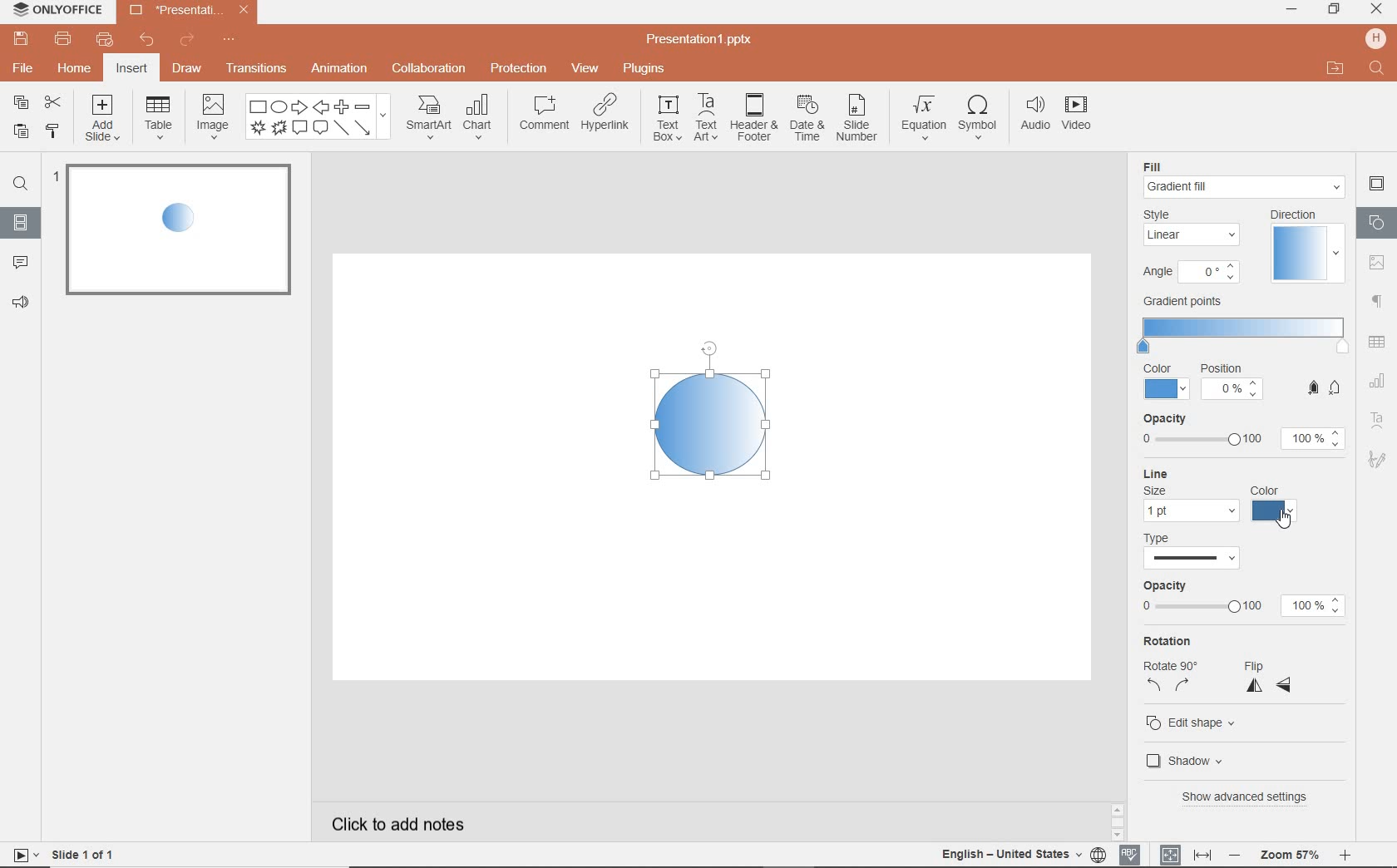 This screenshot has width=1397, height=868. I want to click on SHADOW, so click(1188, 760).